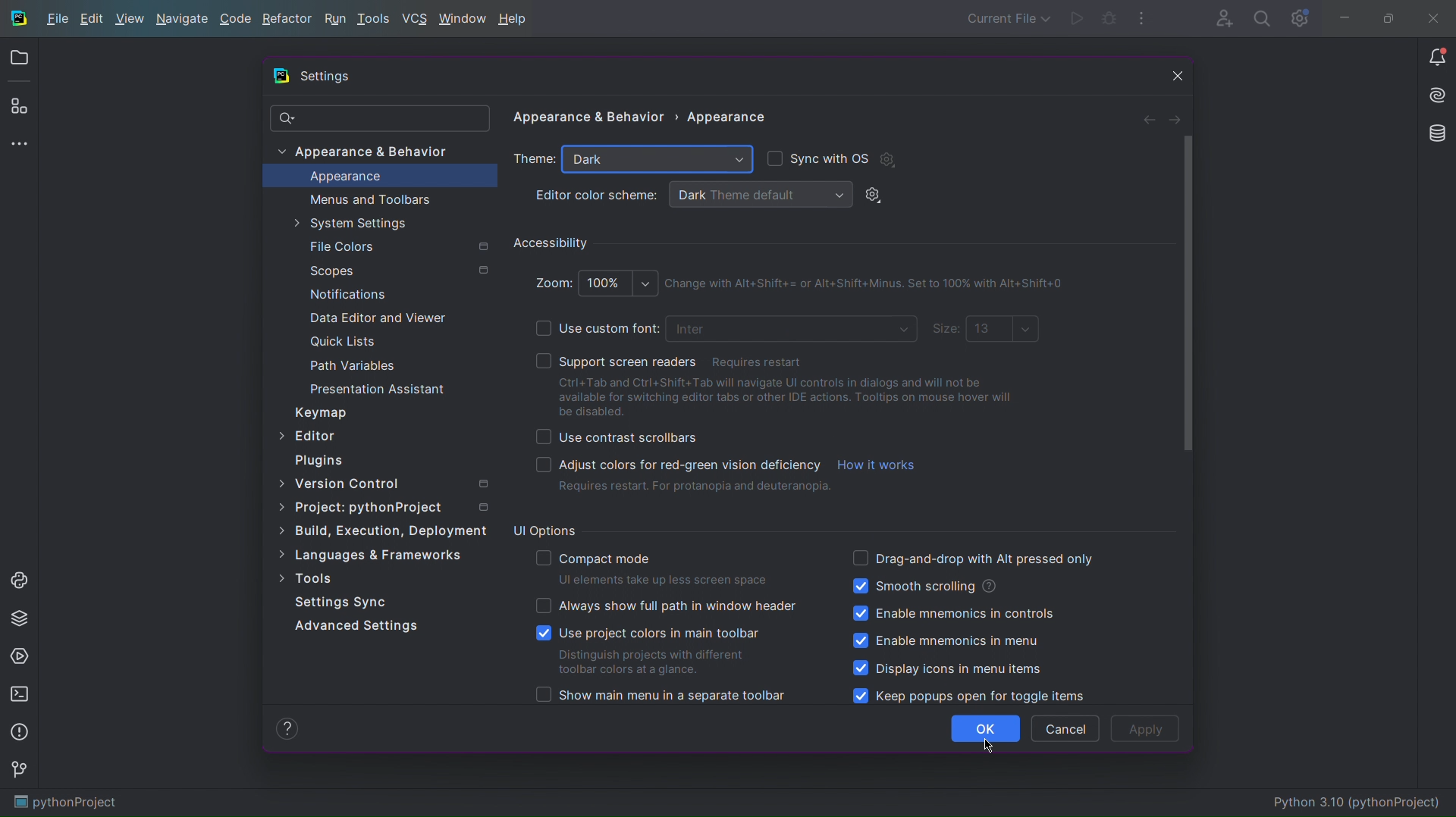  Describe the element at coordinates (952, 615) in the screenshot. I see `Enable mnemonics in controls` at that location.